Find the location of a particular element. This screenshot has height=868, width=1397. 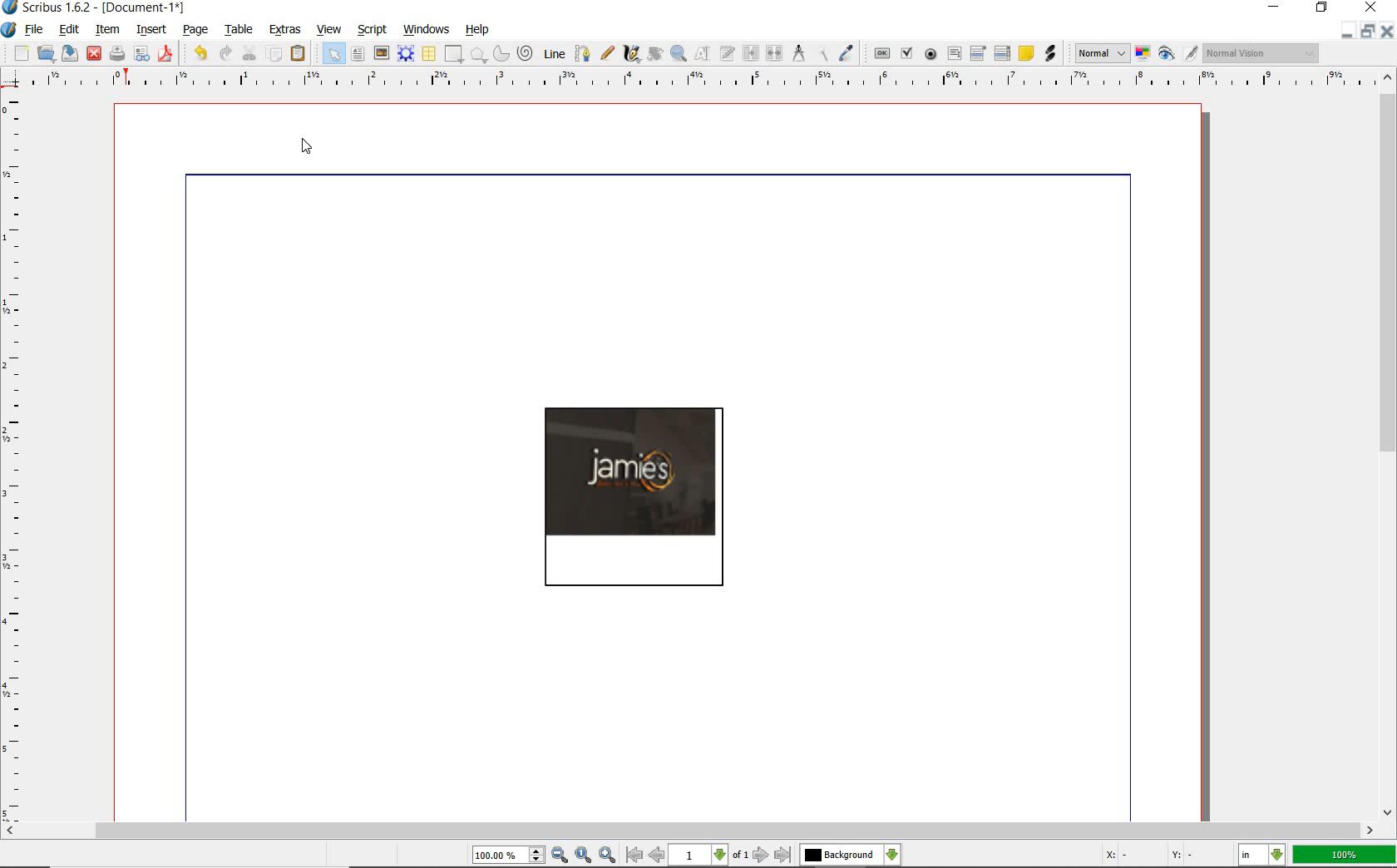

pdf combo box is located at coordinates (979, 53).